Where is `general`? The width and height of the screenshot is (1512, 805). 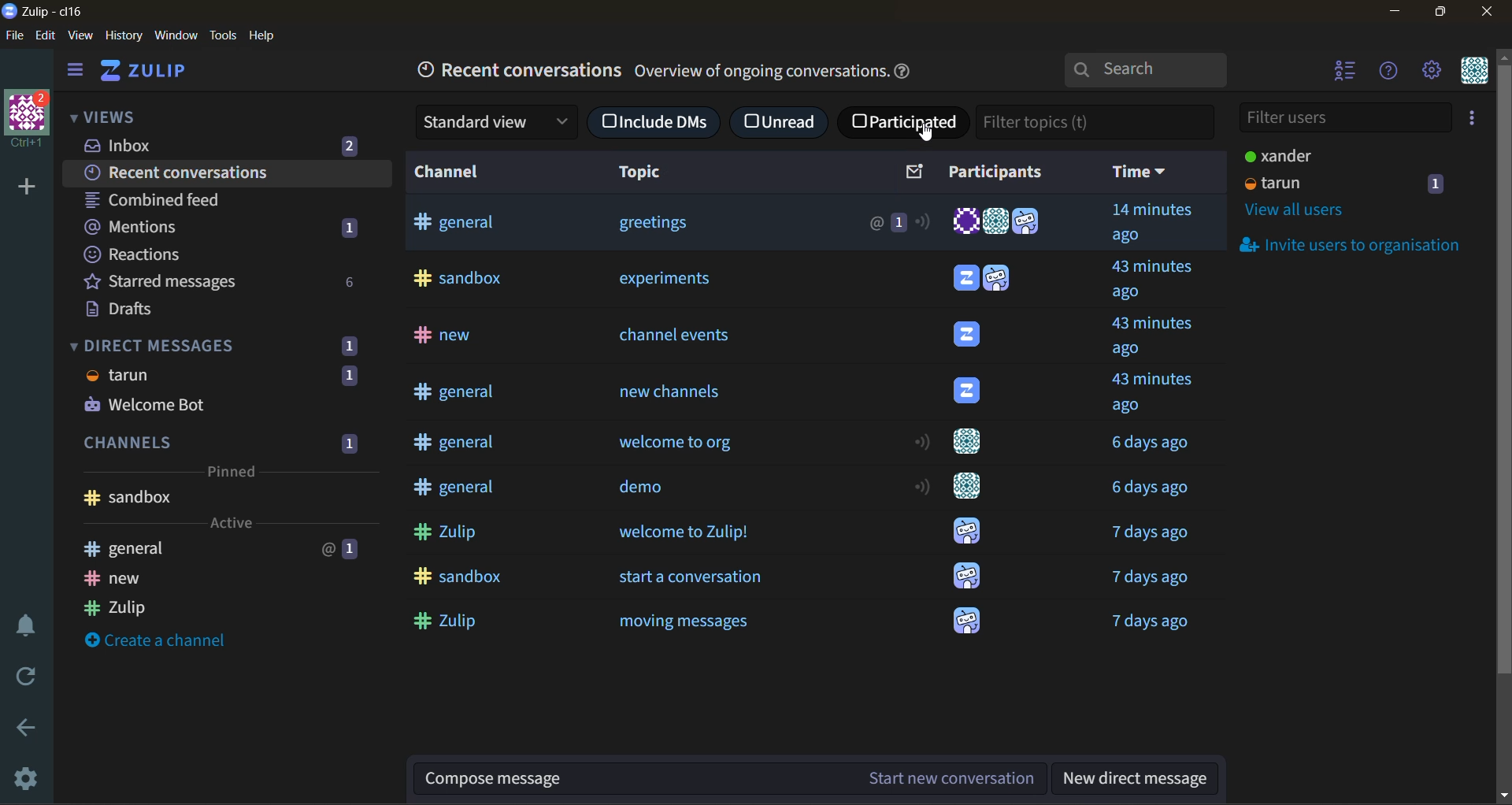
general is located at coordinates (464, 488).